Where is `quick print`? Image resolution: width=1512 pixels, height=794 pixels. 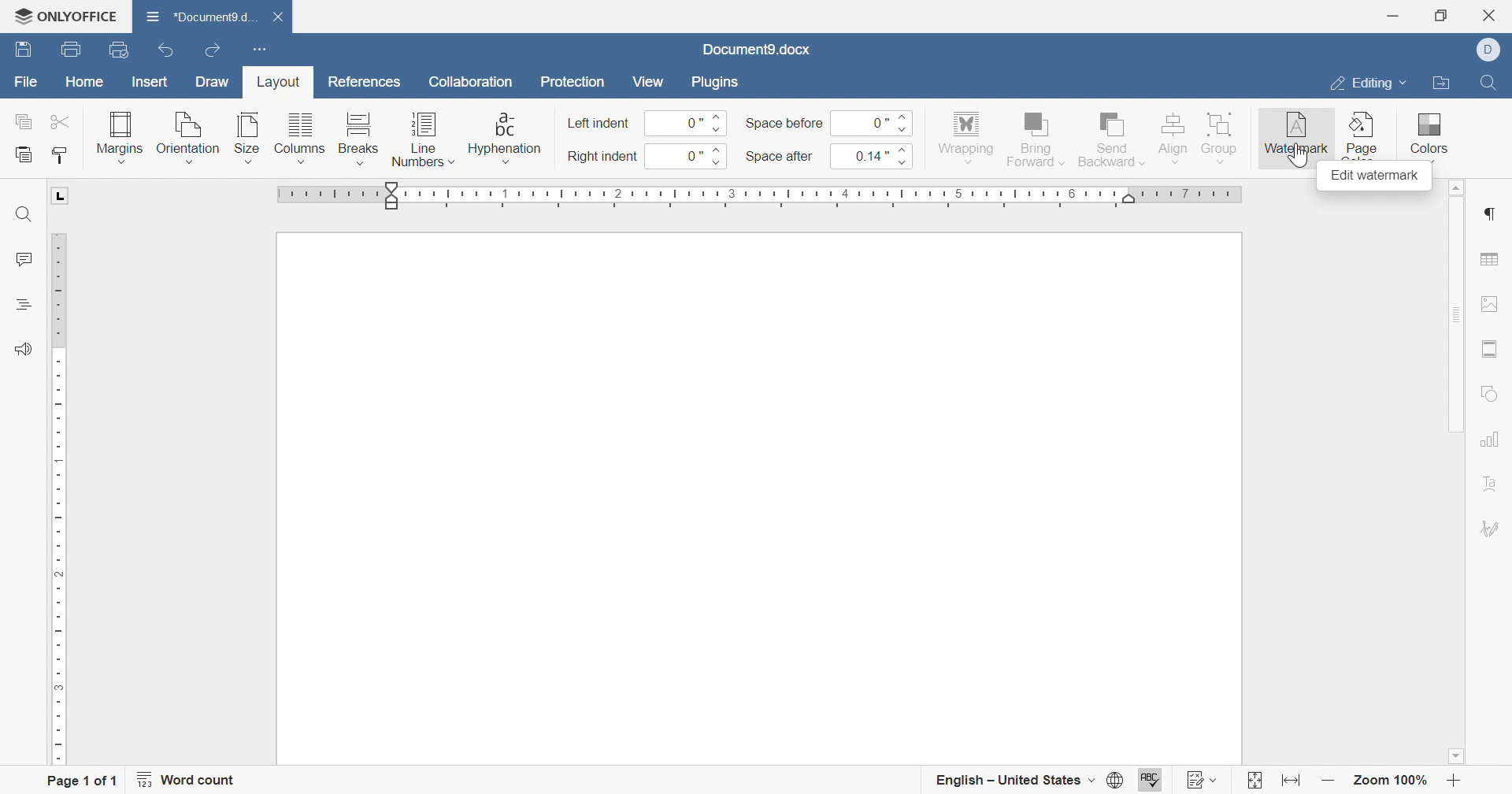
quick print is located at coordinates (126, 51).